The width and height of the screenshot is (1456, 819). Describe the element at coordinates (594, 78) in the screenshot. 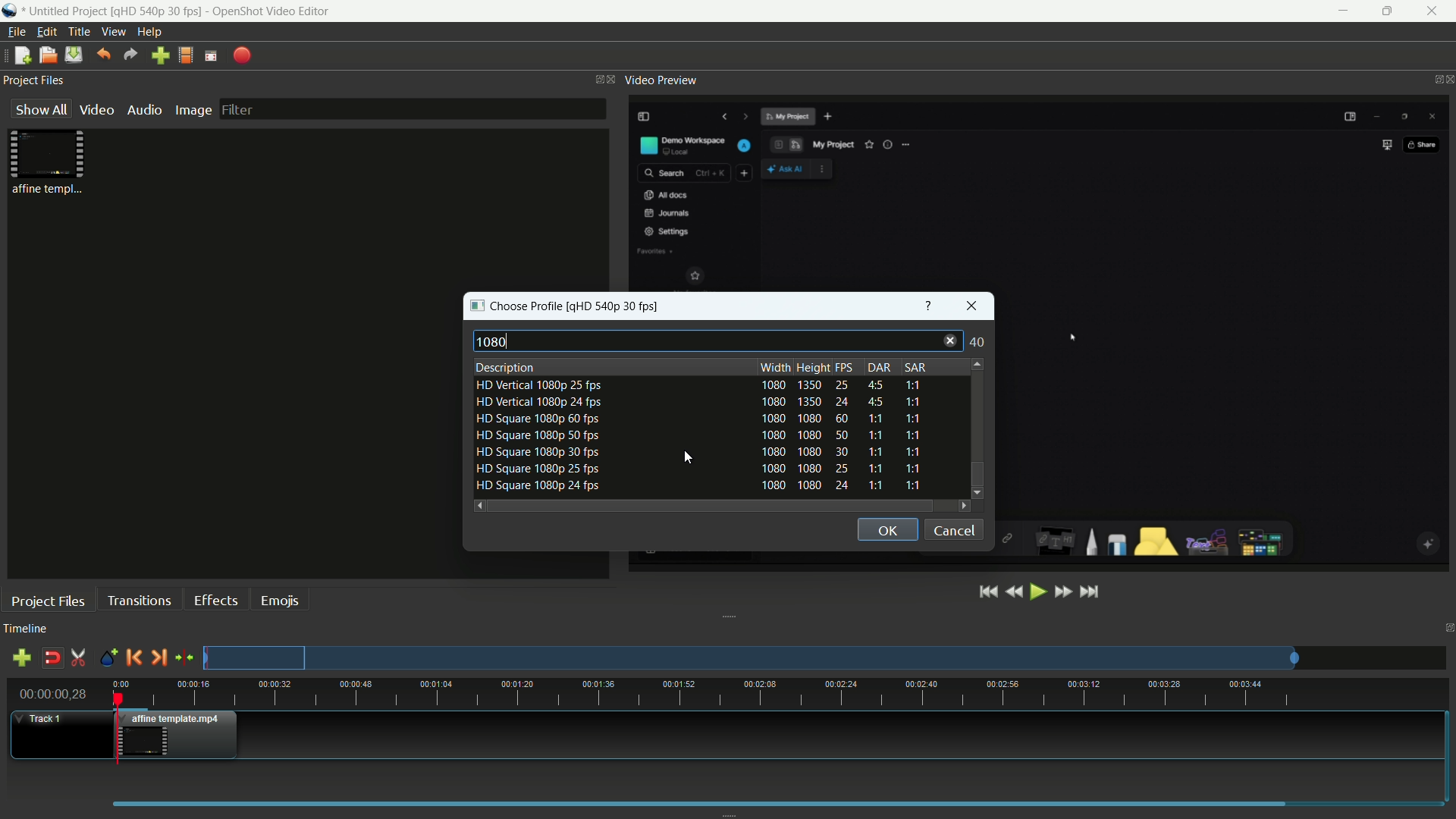

I see `change layout` at that location.